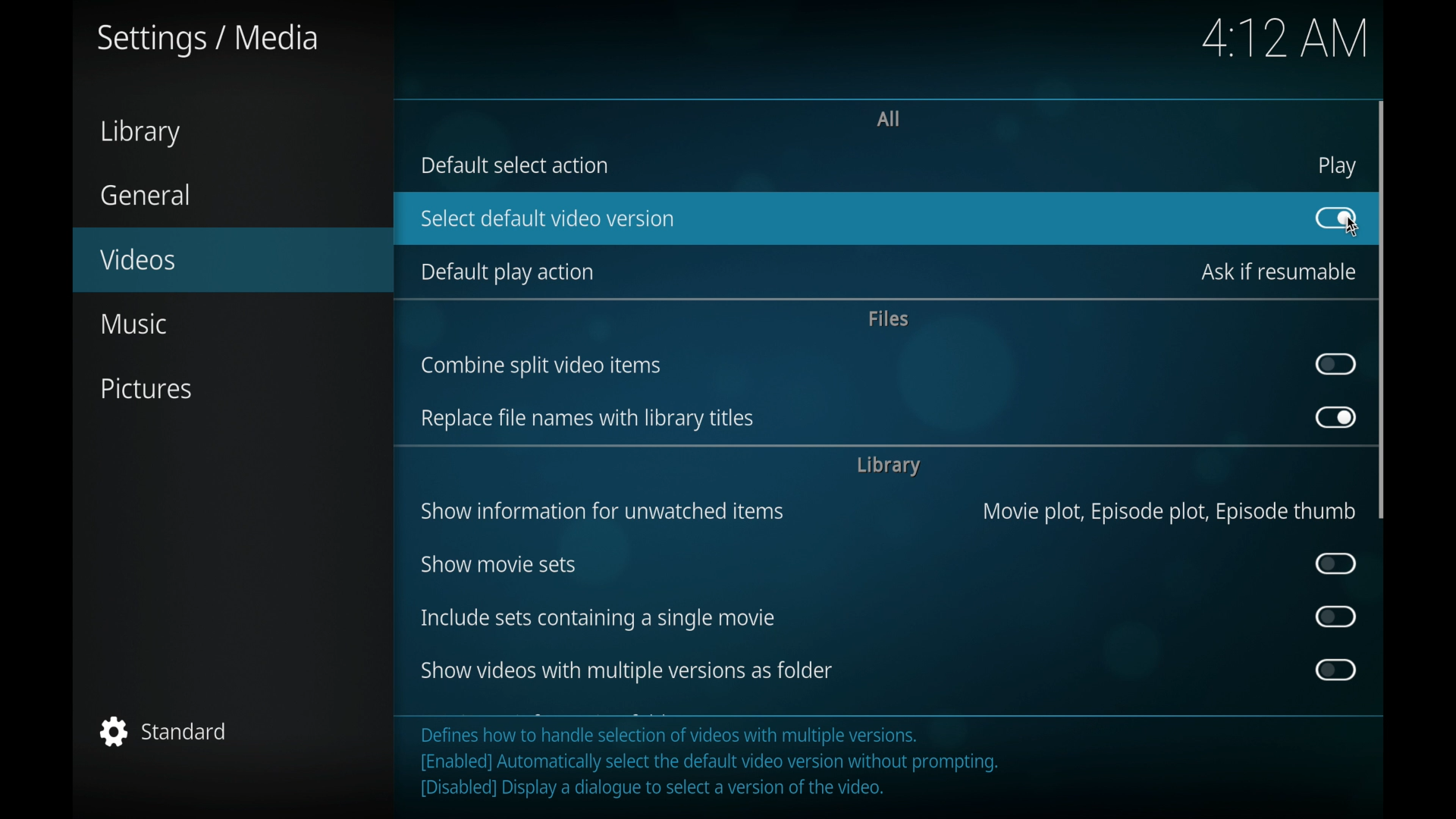  Describe the element at coordinates (1336, 418) in the screenshot. I see `toggle button` at that location.